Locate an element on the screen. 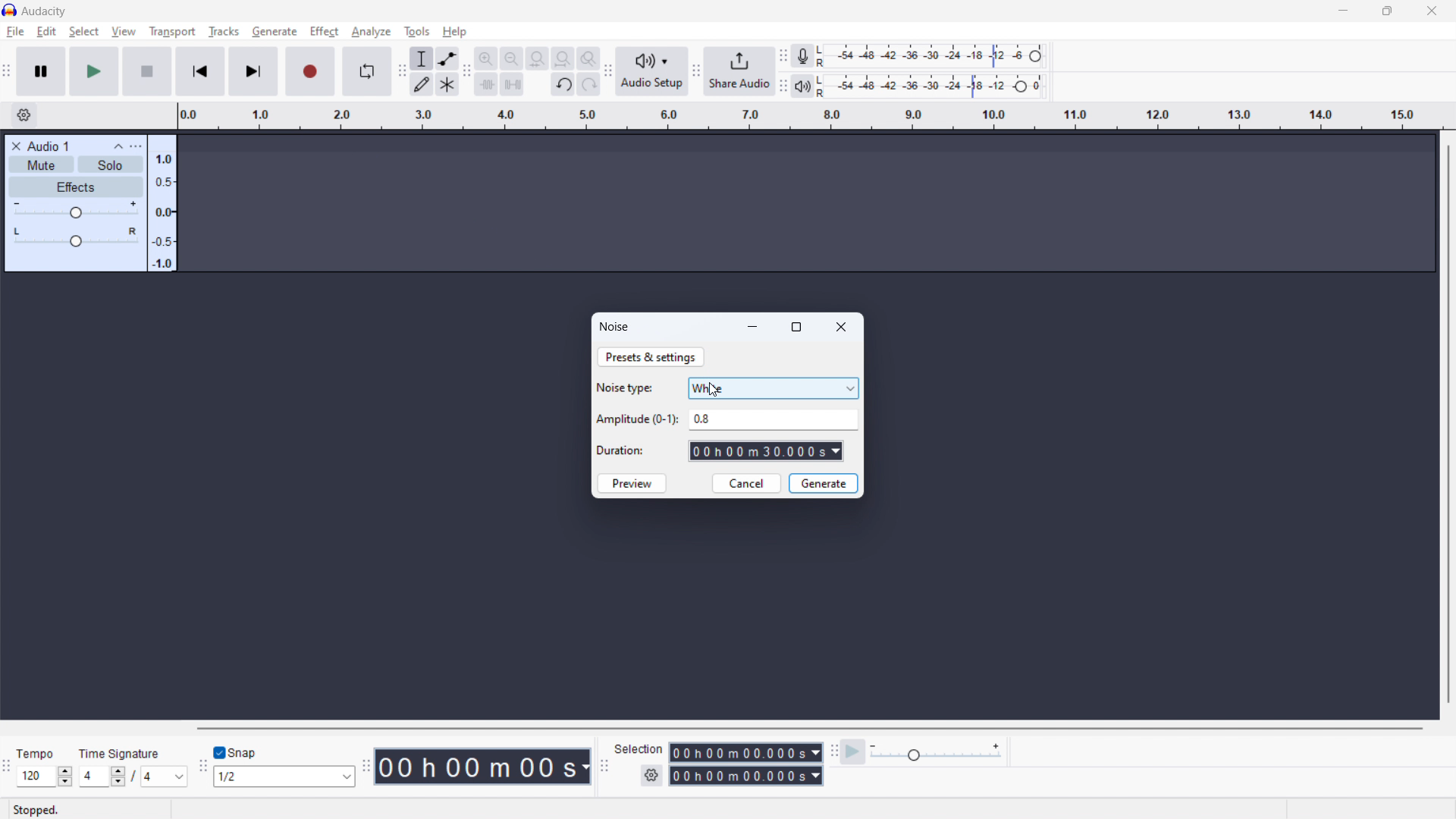  logo is located at coordinates (9, 11).